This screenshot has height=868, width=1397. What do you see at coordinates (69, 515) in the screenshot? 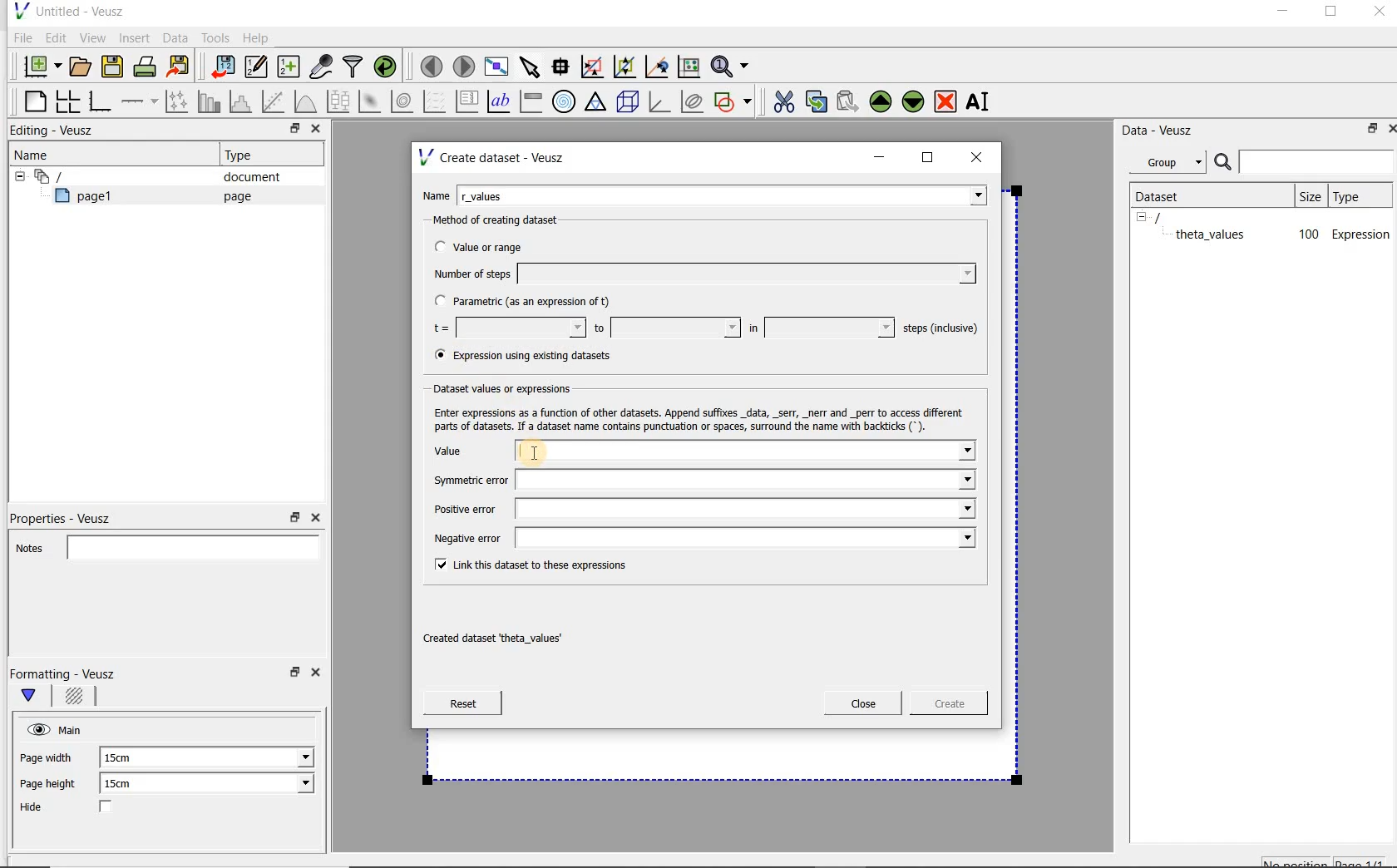
I see `Properties - Veusz` at bounding box center [69, 515].